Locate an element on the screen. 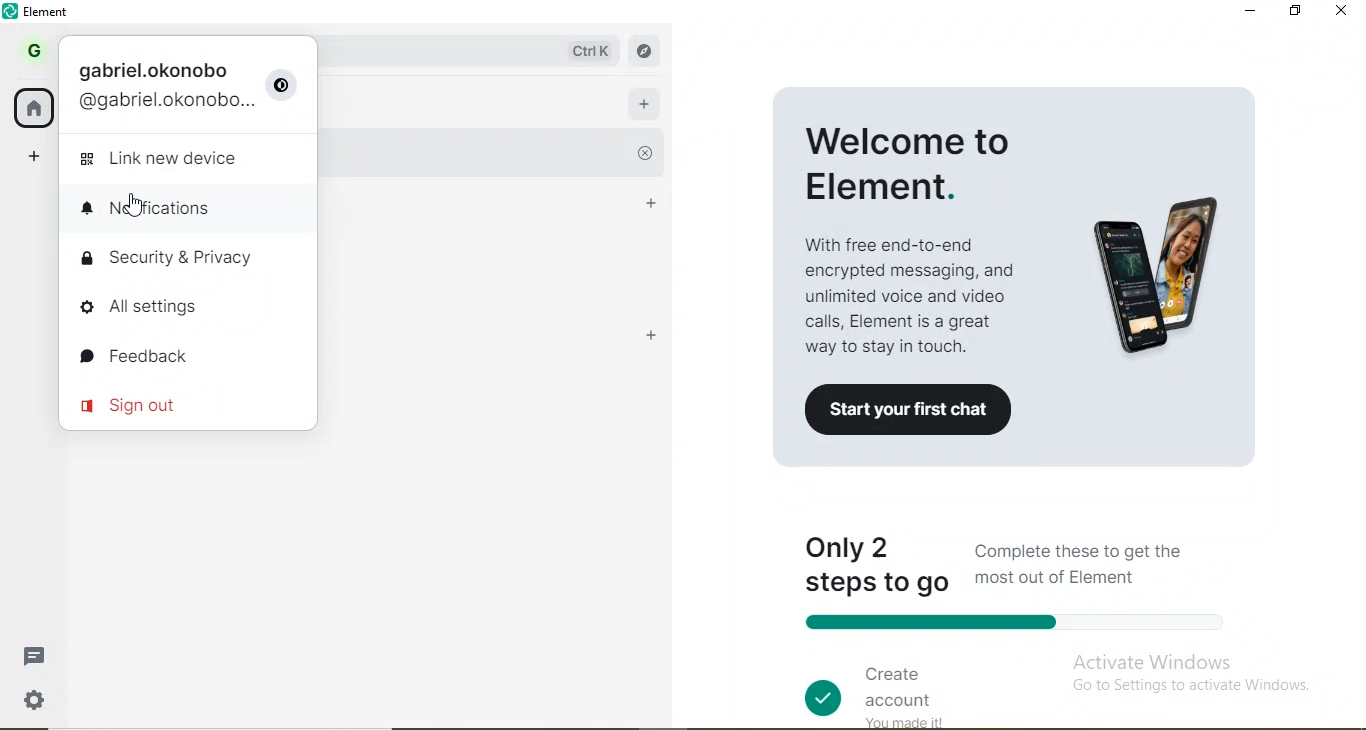 The image size is (1366, 730). all settings is located at coordinates (189, 305).